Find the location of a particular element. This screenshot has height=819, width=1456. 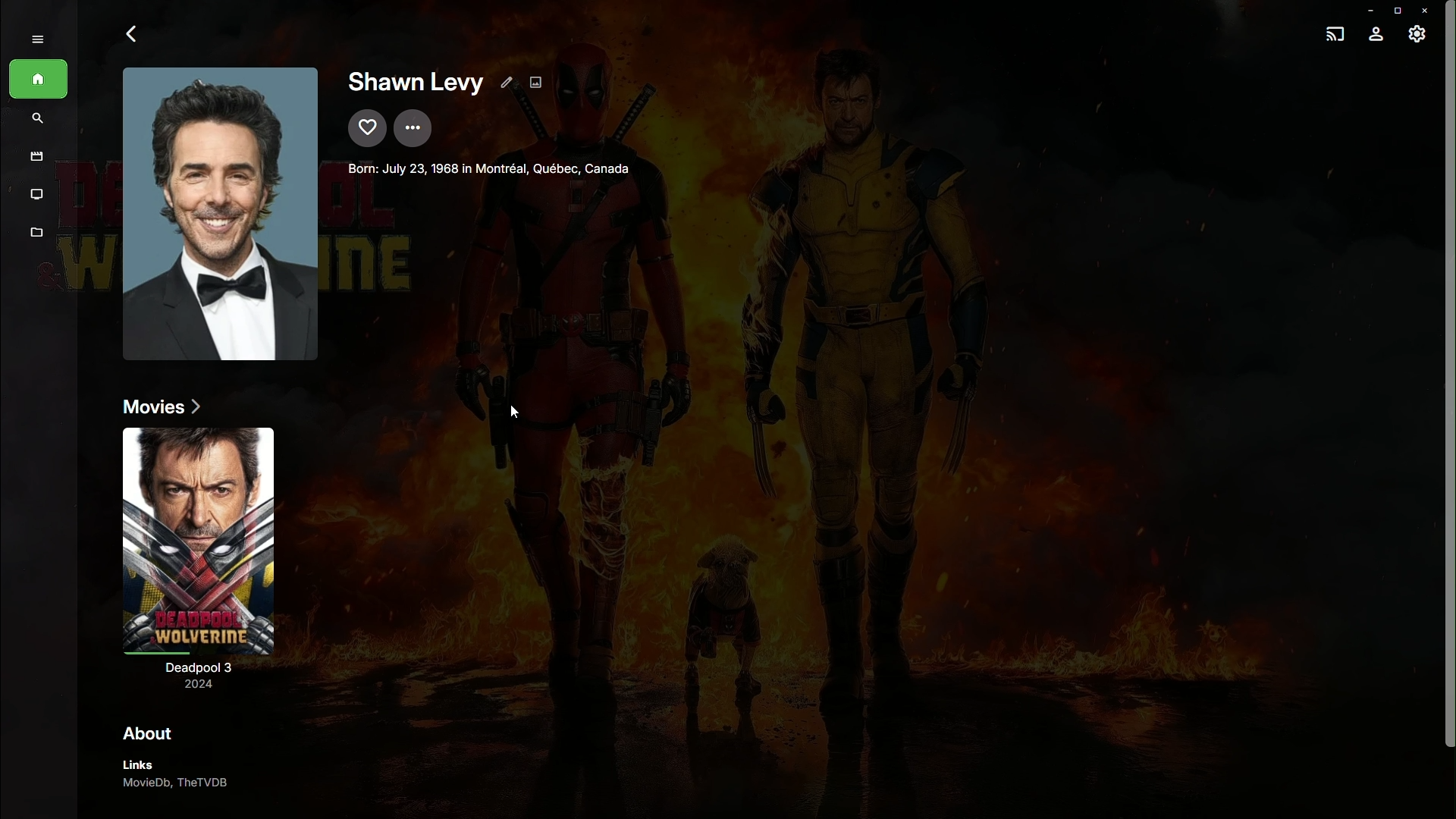

Director details is located at coordinates (503, 169).